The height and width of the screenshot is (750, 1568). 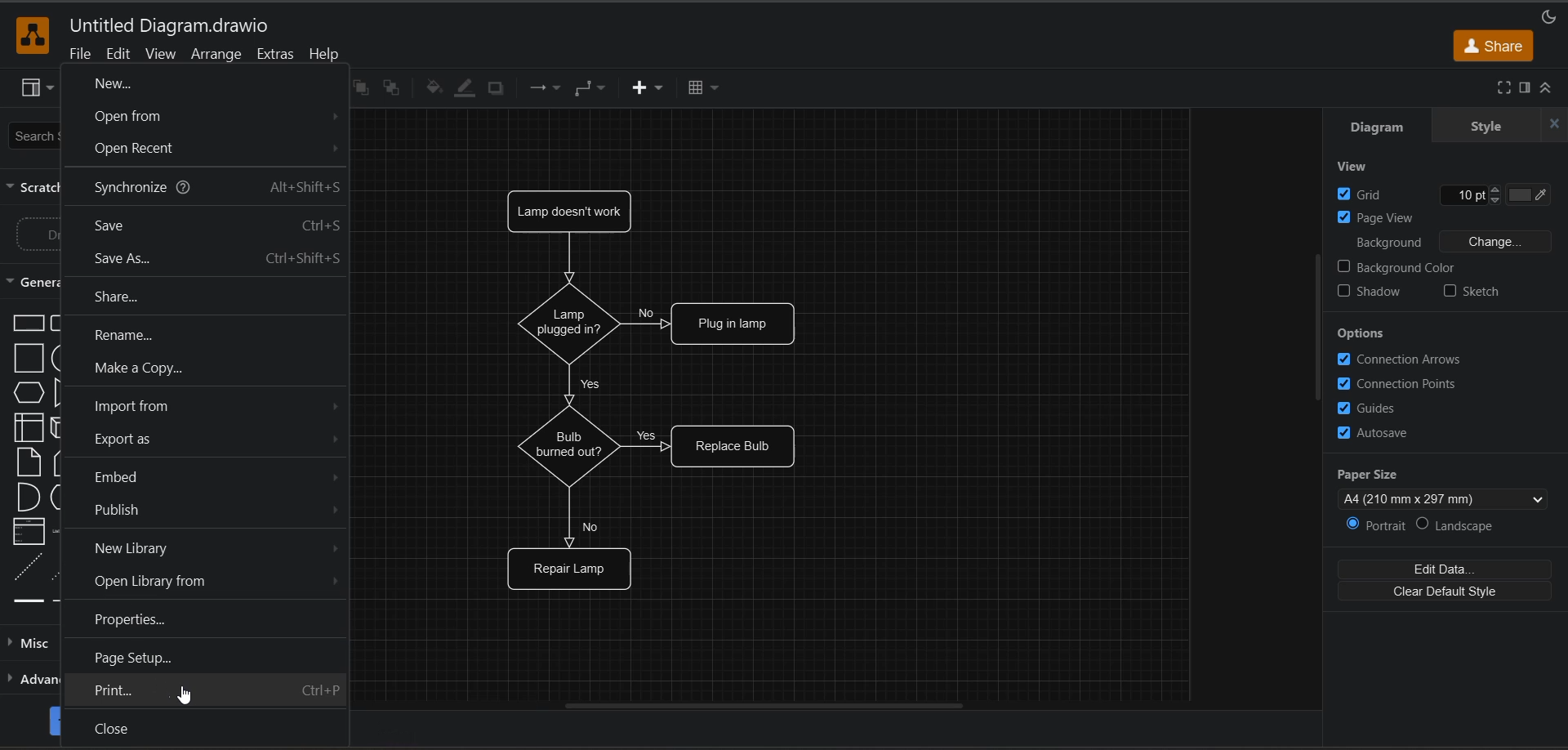 What do you see at coordinates (645, 88) in the screenshot?
I see `insert` at bounding box center [645, 88].